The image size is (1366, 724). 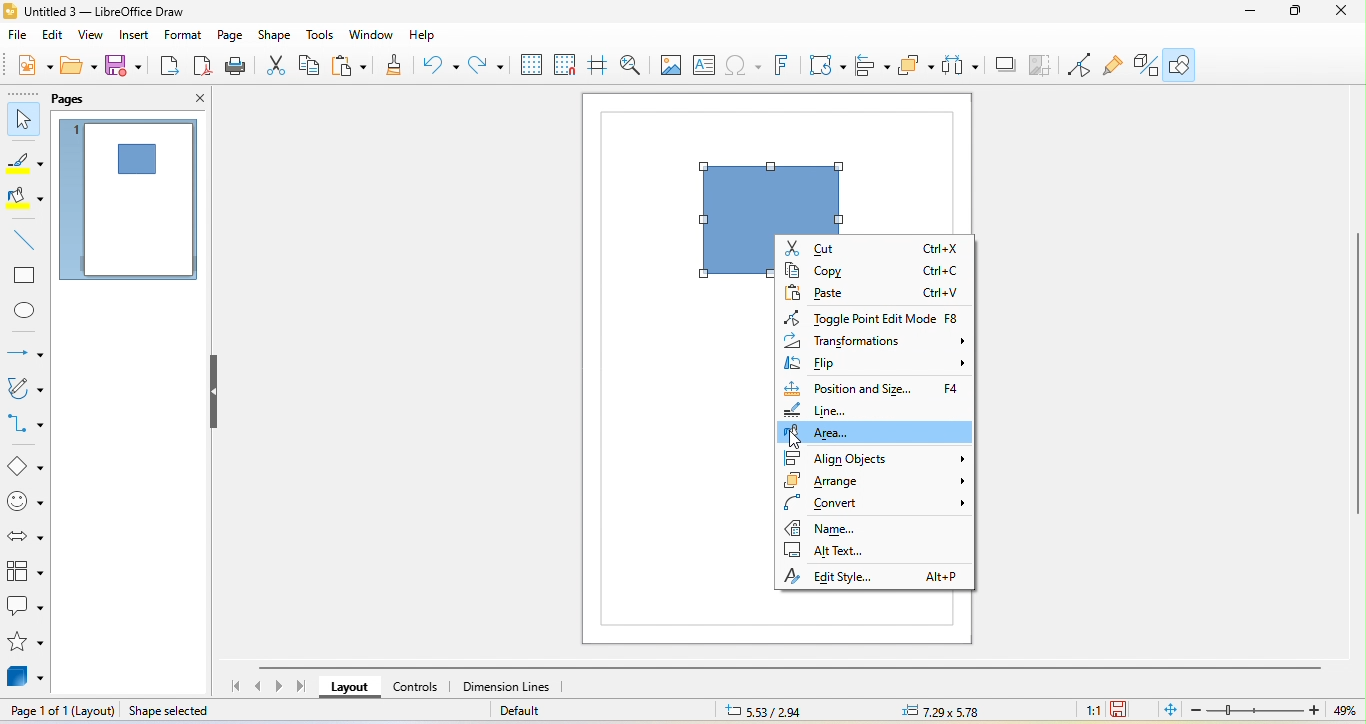 I want to click on stars and banners, so click(x=25, y=644).